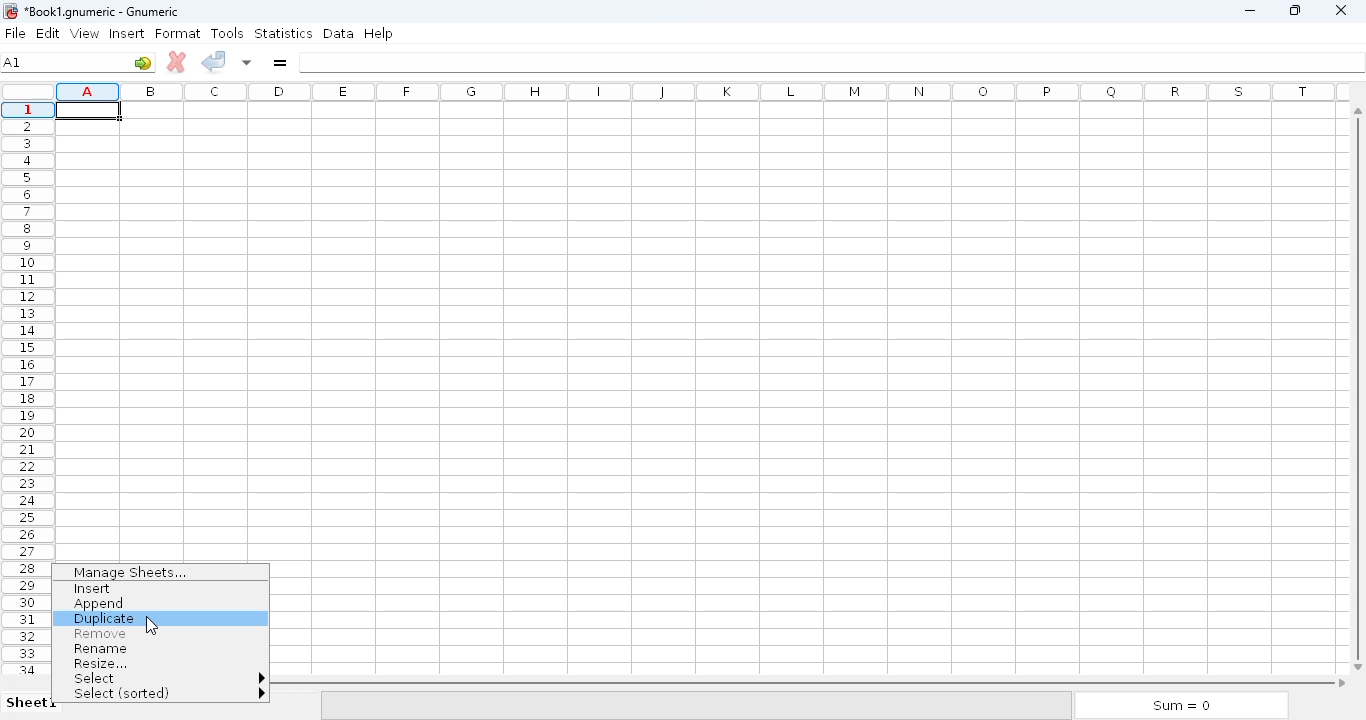 This screenshot has height=720, width=1366. What do you see at coordinates (103, 619) in the screenshot?
I see `duplicate` at bounding box center [103, 619].